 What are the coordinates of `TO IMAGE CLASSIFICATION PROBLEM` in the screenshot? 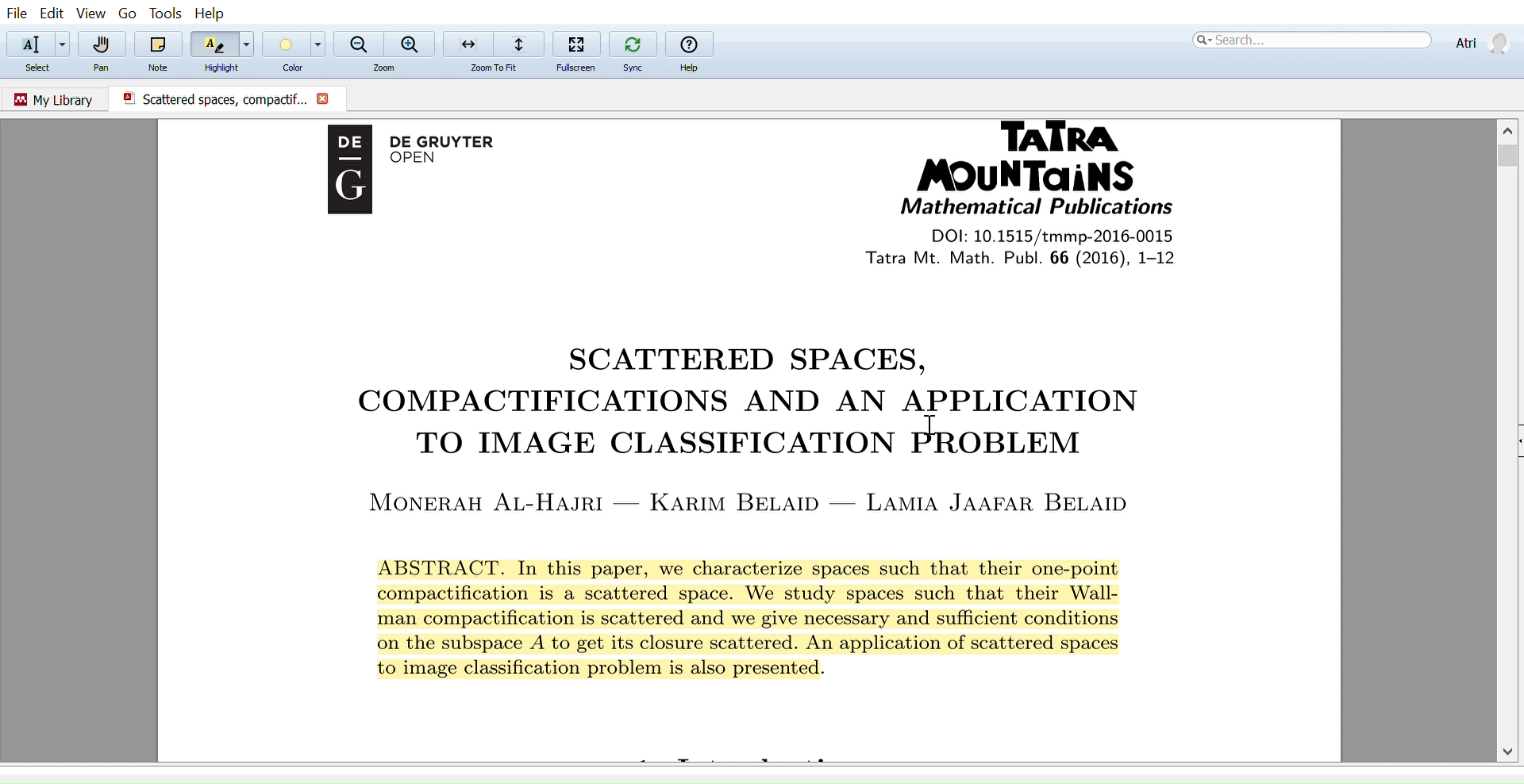 It's located at (760, 445).